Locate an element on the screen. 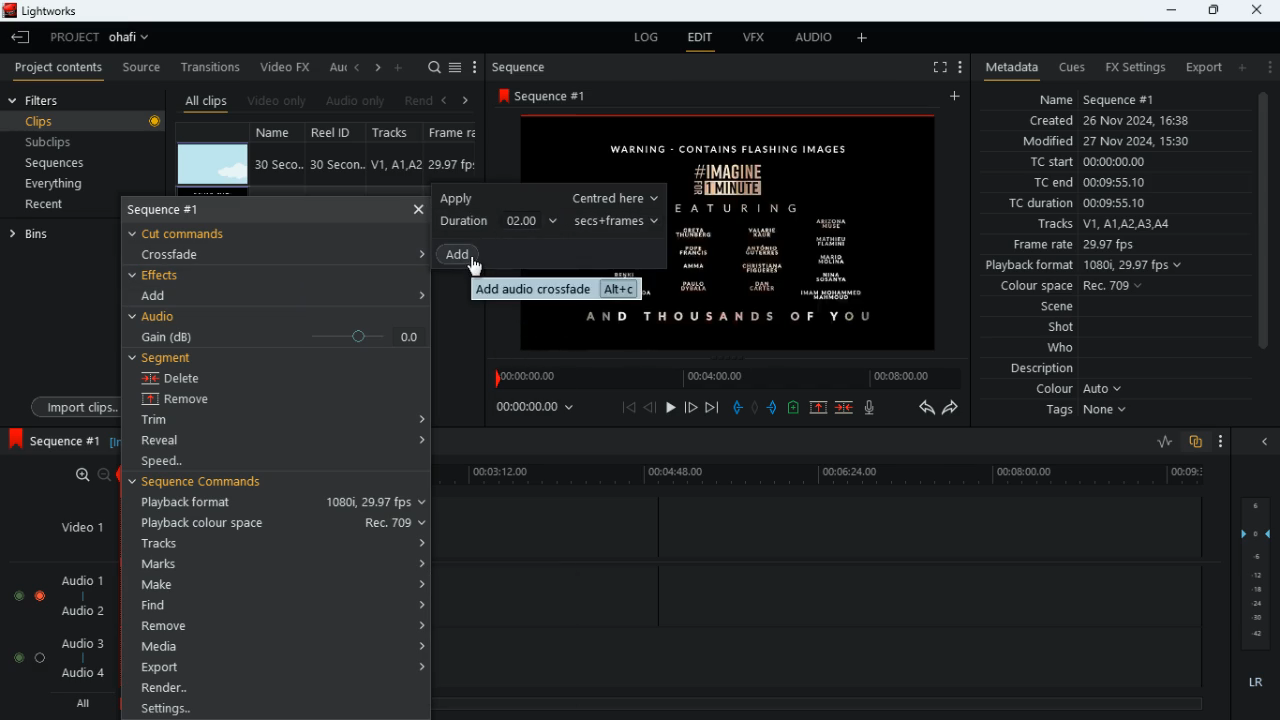  effects is located at coordinates (158, 275).